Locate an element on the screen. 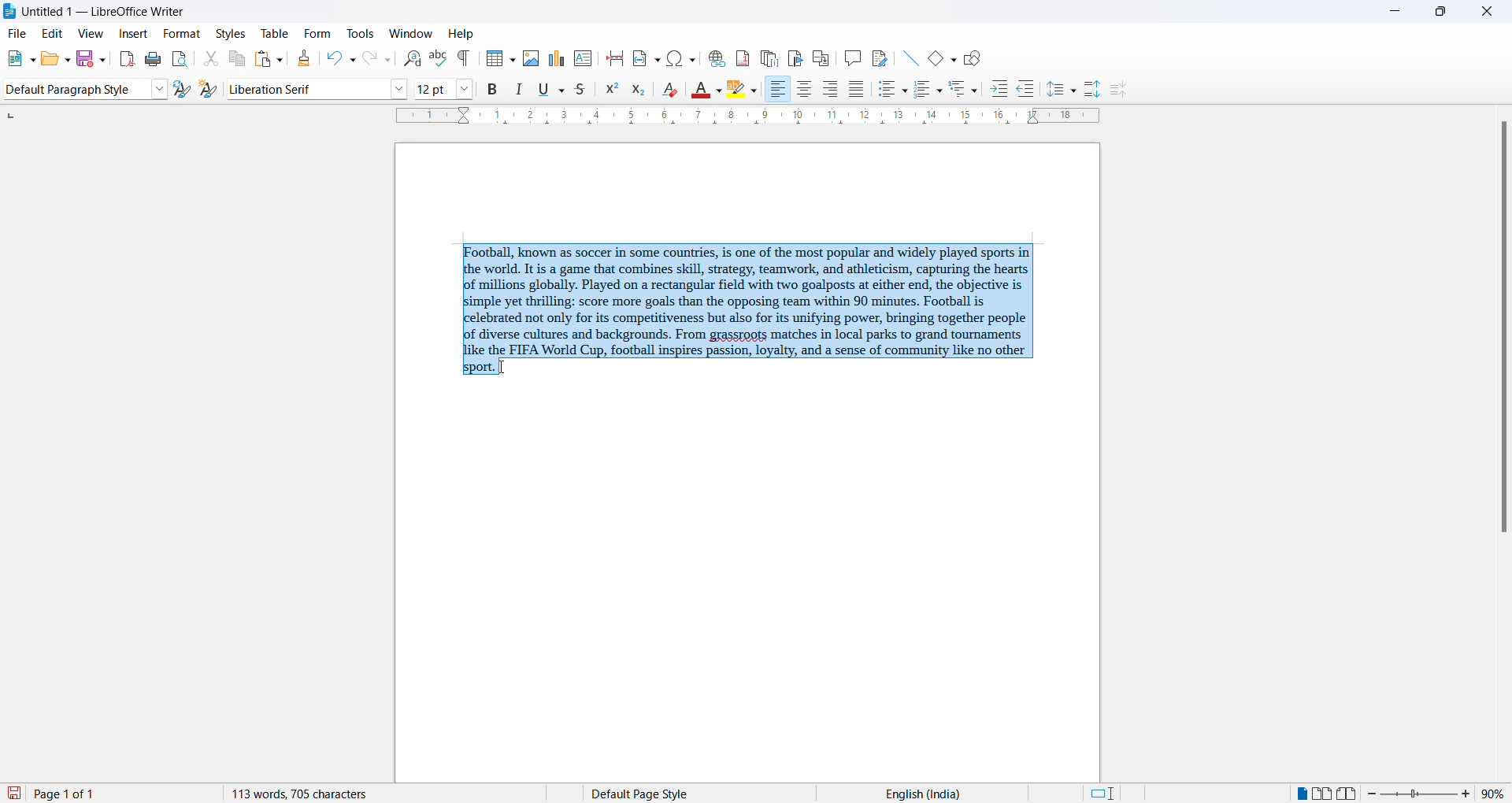 Image resolution: width=1512 pixels, height=803 pixels. save is located at coordinates (86, 59).